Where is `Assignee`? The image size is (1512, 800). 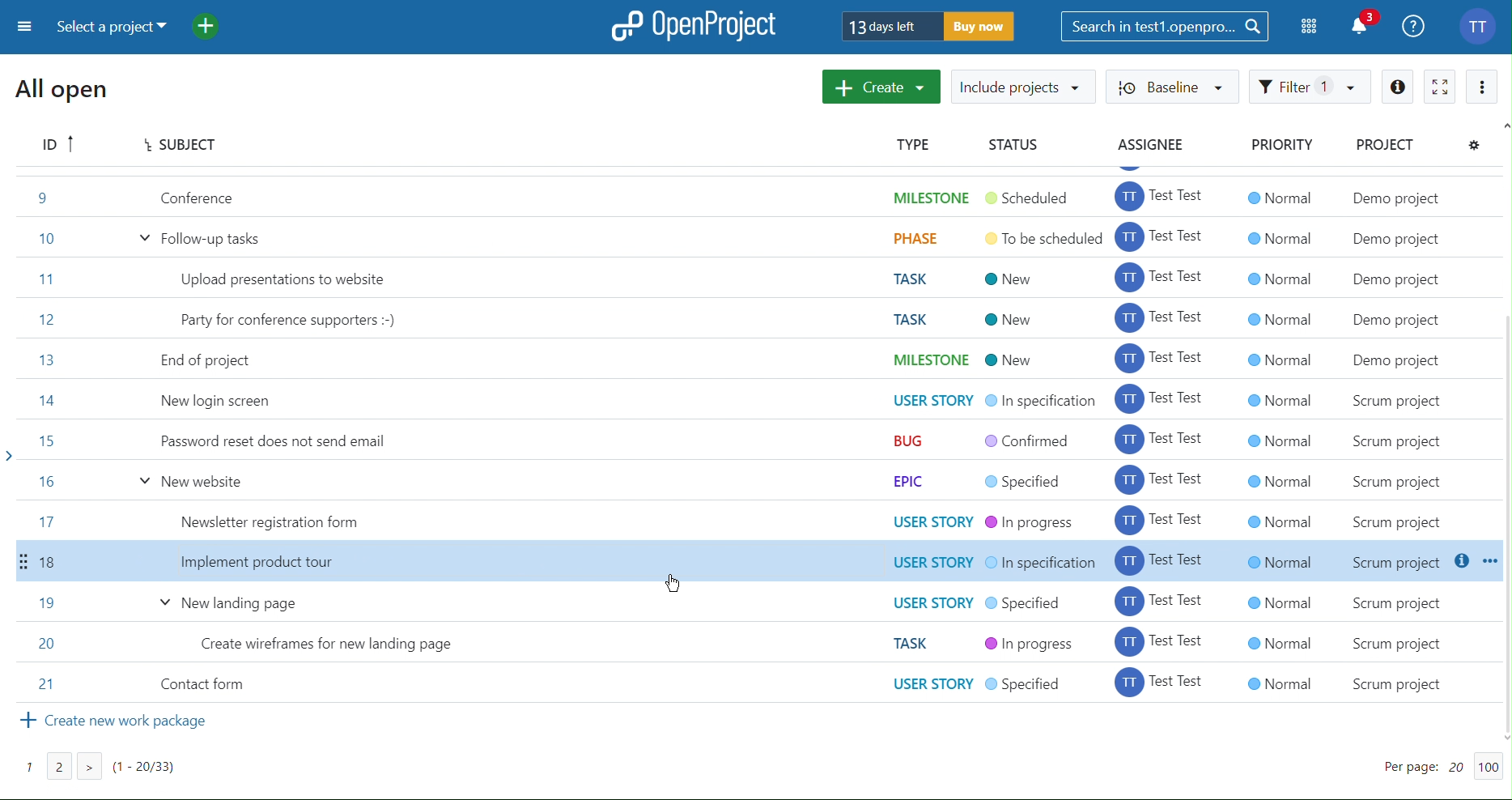
Assignee is located at coordinates (1153, 145).